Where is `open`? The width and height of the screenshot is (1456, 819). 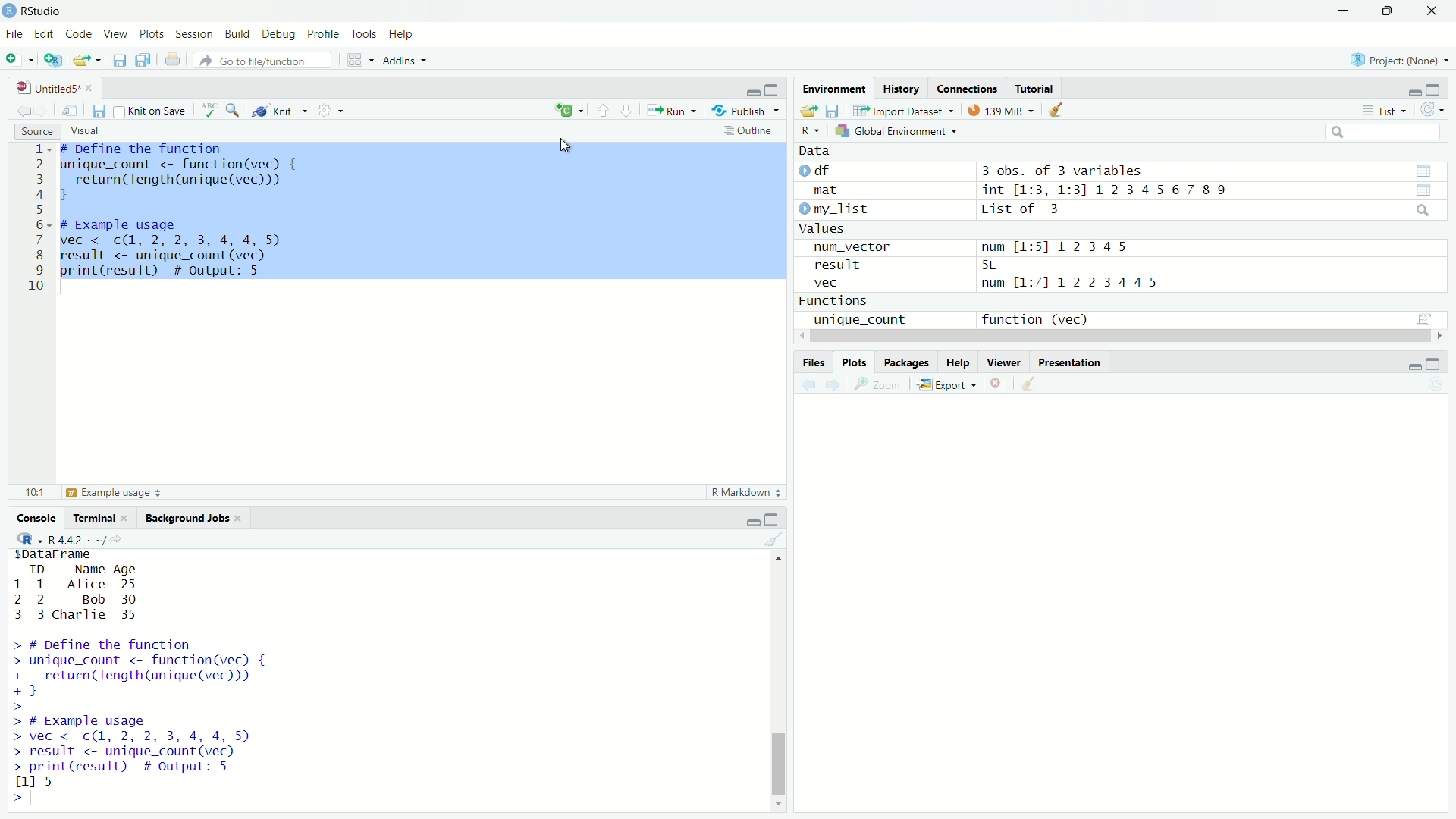 open is located at coordinates (807, 110).